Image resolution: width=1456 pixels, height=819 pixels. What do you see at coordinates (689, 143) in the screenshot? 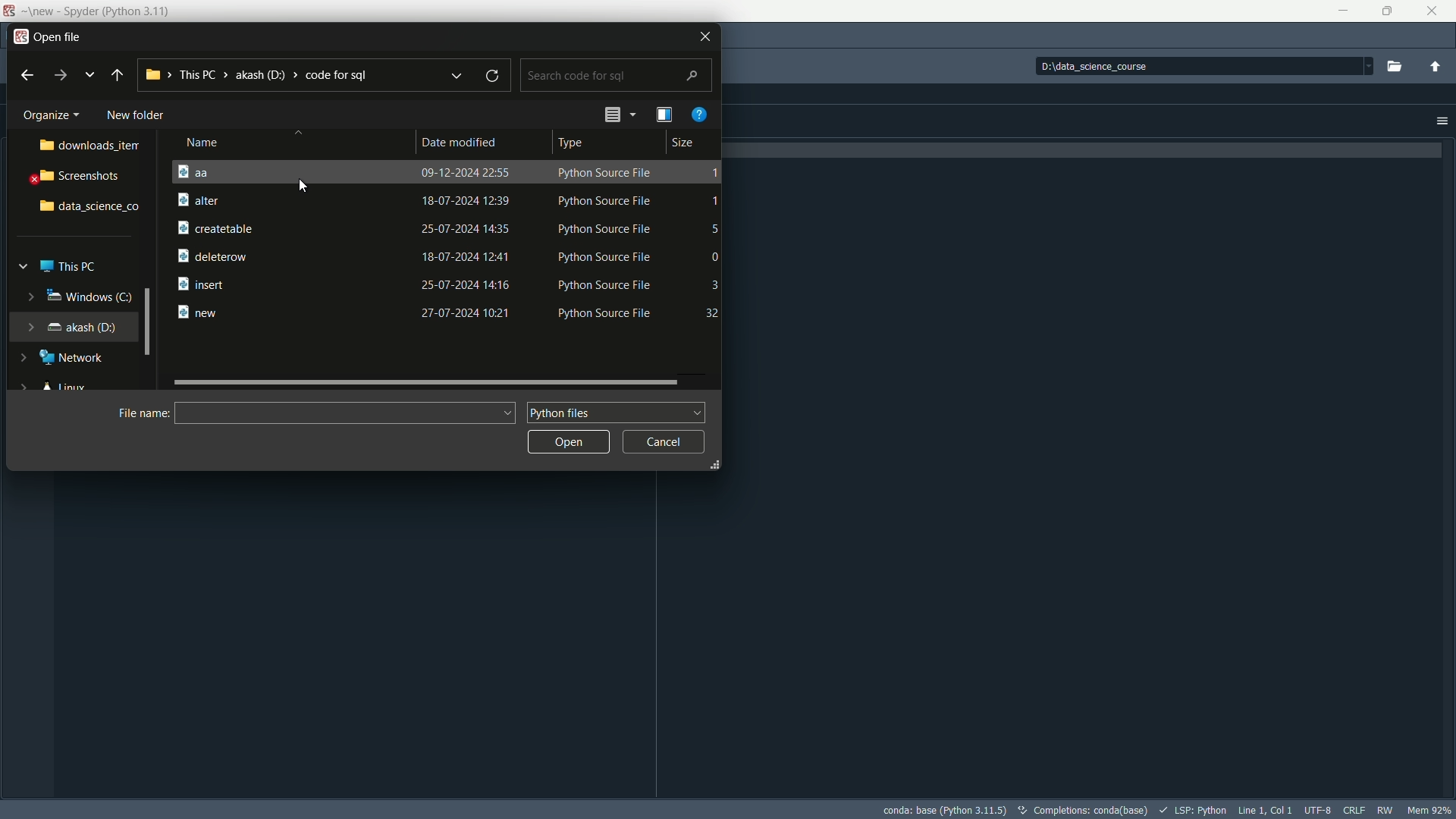
I see `size` at bounding box center [689, 143].